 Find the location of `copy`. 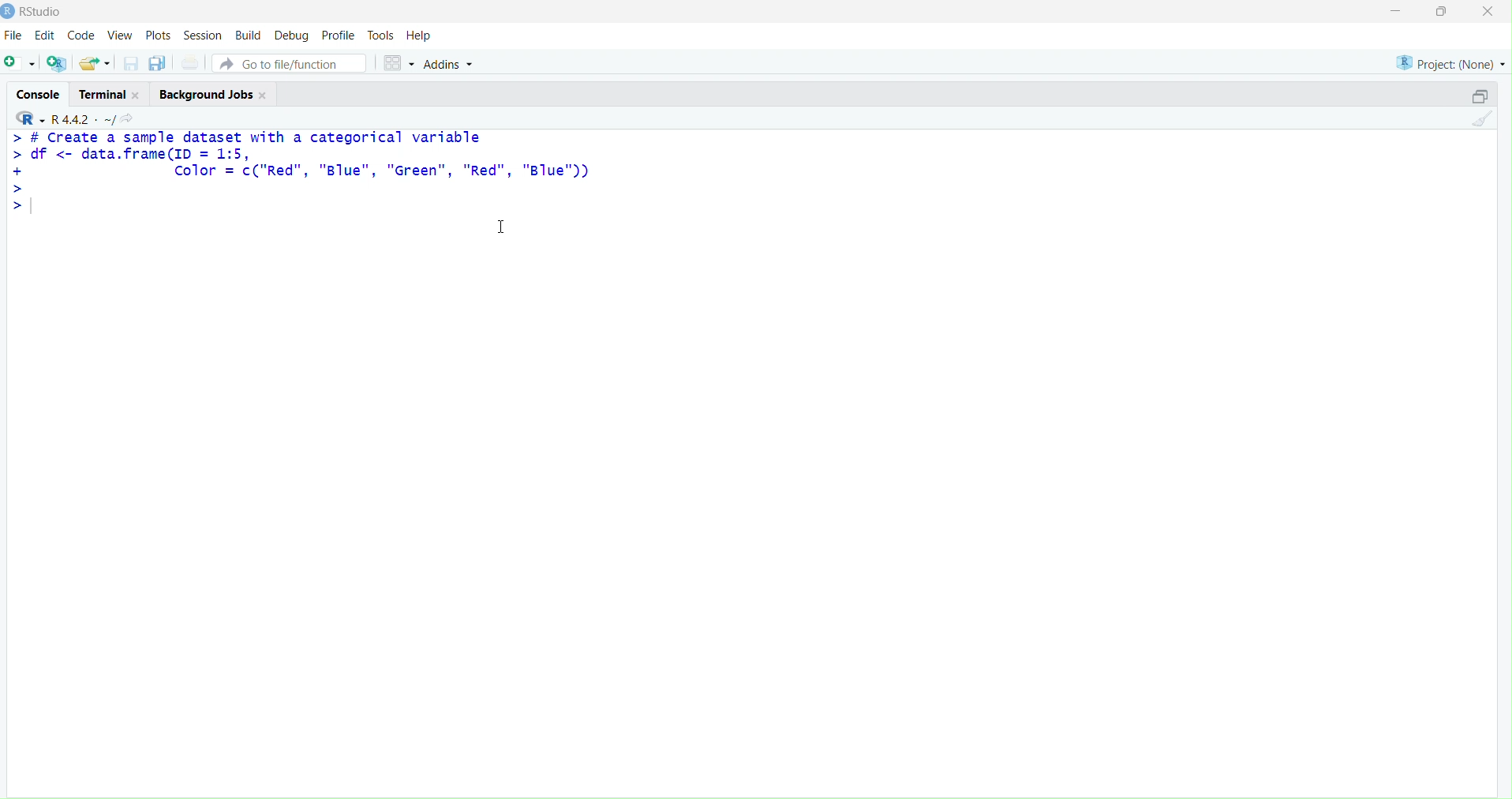

copy is located at coordinates (158, 63).